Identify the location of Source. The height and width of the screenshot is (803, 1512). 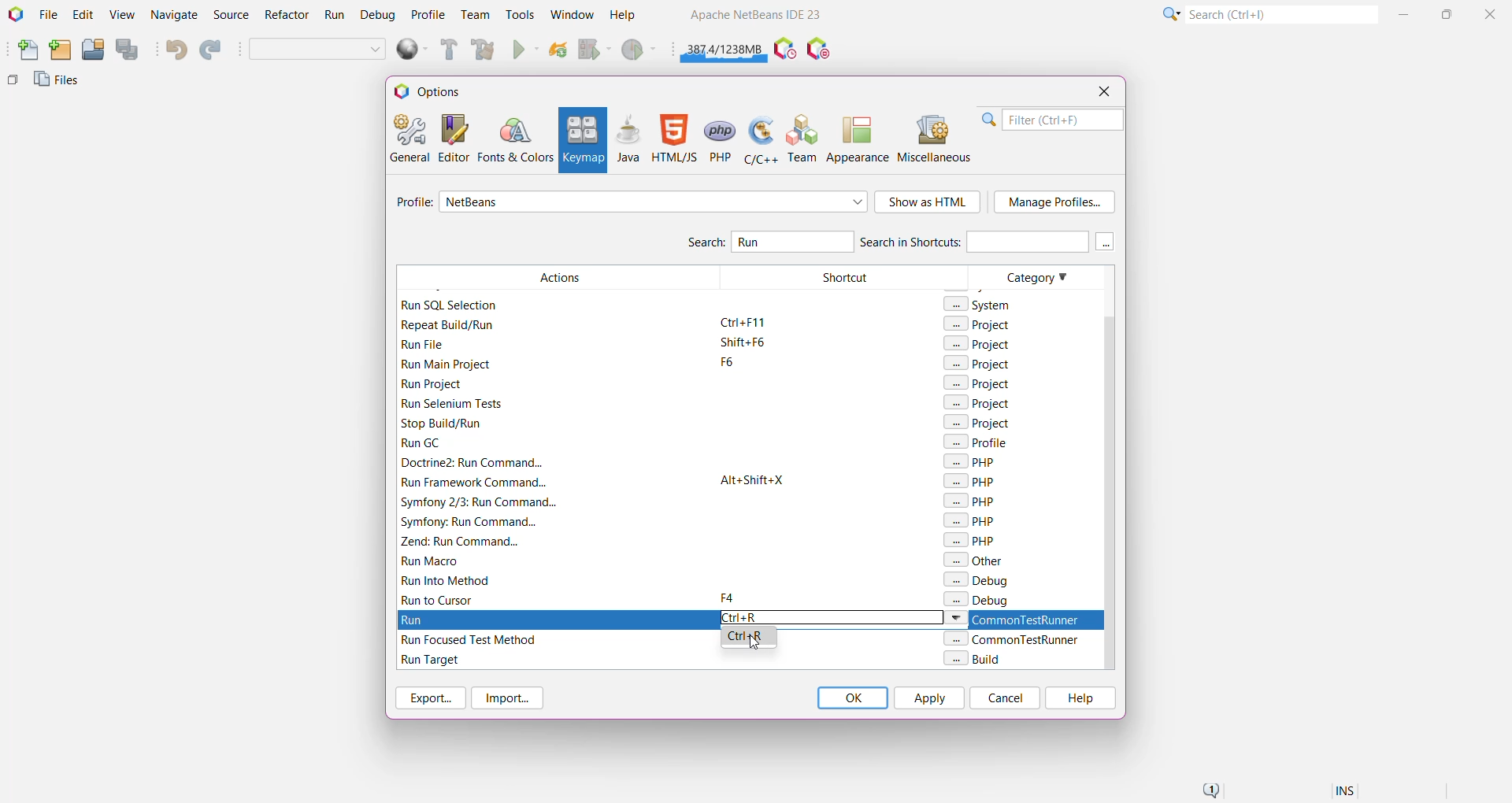
(233, 15).